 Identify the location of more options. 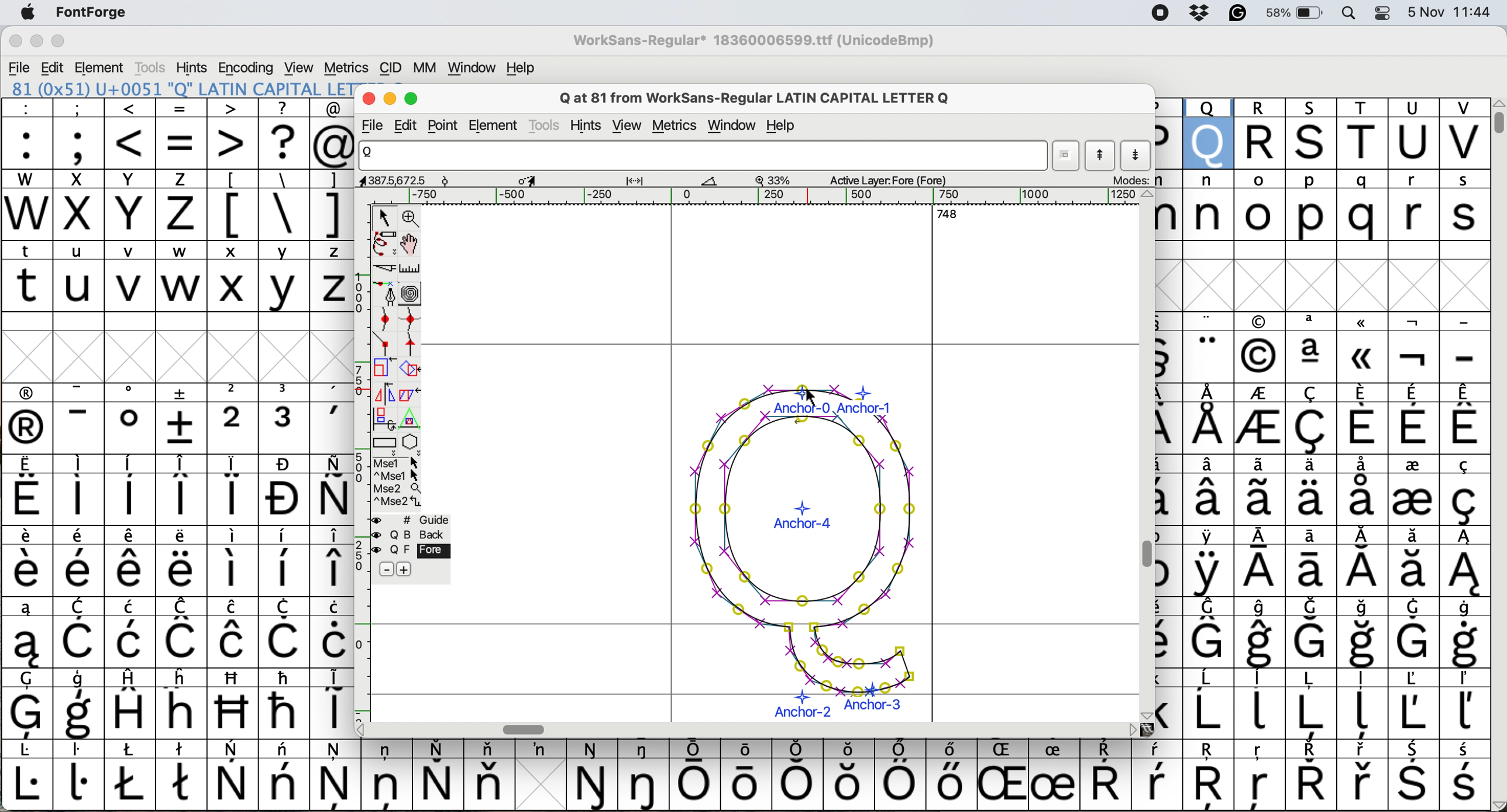
(396, 483).